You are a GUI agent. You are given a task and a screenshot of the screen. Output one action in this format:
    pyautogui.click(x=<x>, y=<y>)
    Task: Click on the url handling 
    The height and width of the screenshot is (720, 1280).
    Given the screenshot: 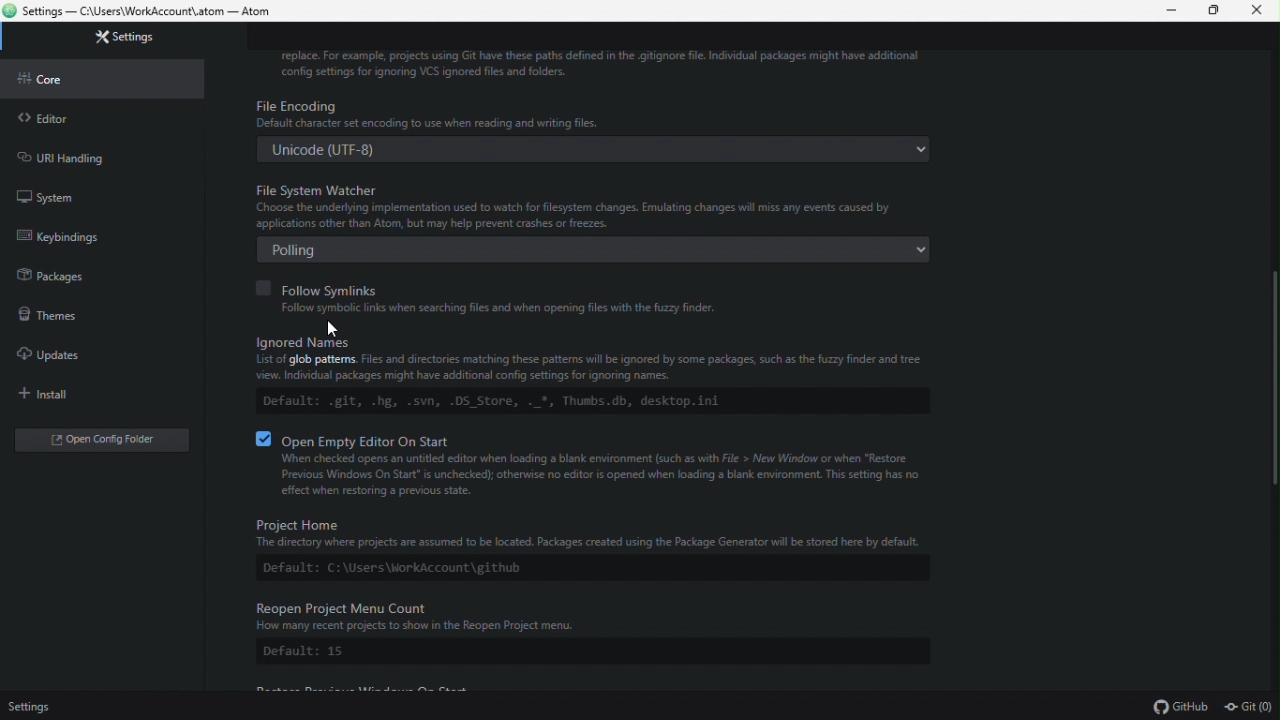 What is the action you would take?
    pyautogui.click(x=81, y=156)
    